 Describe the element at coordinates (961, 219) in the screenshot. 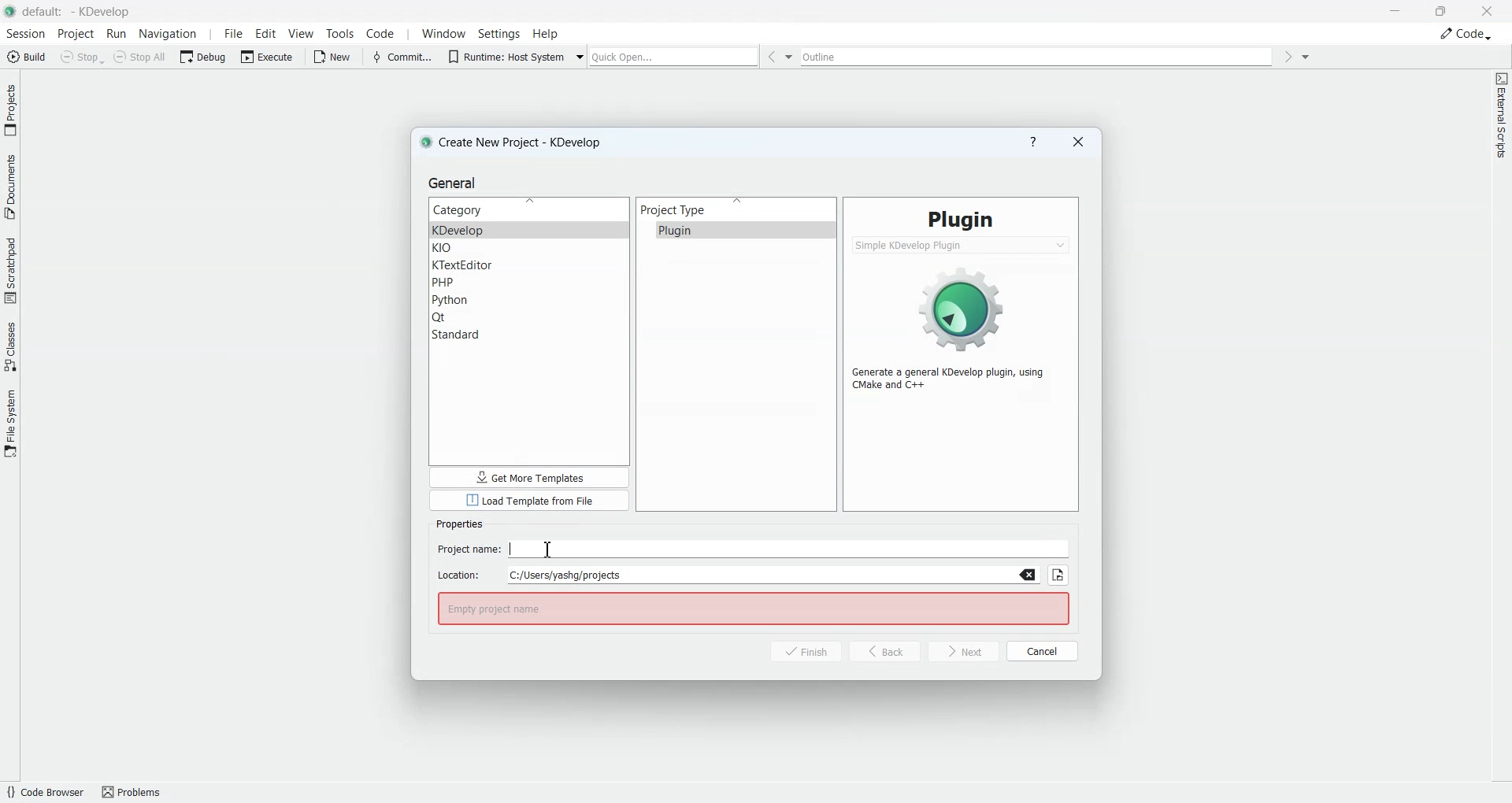

I see `Text` at that location.